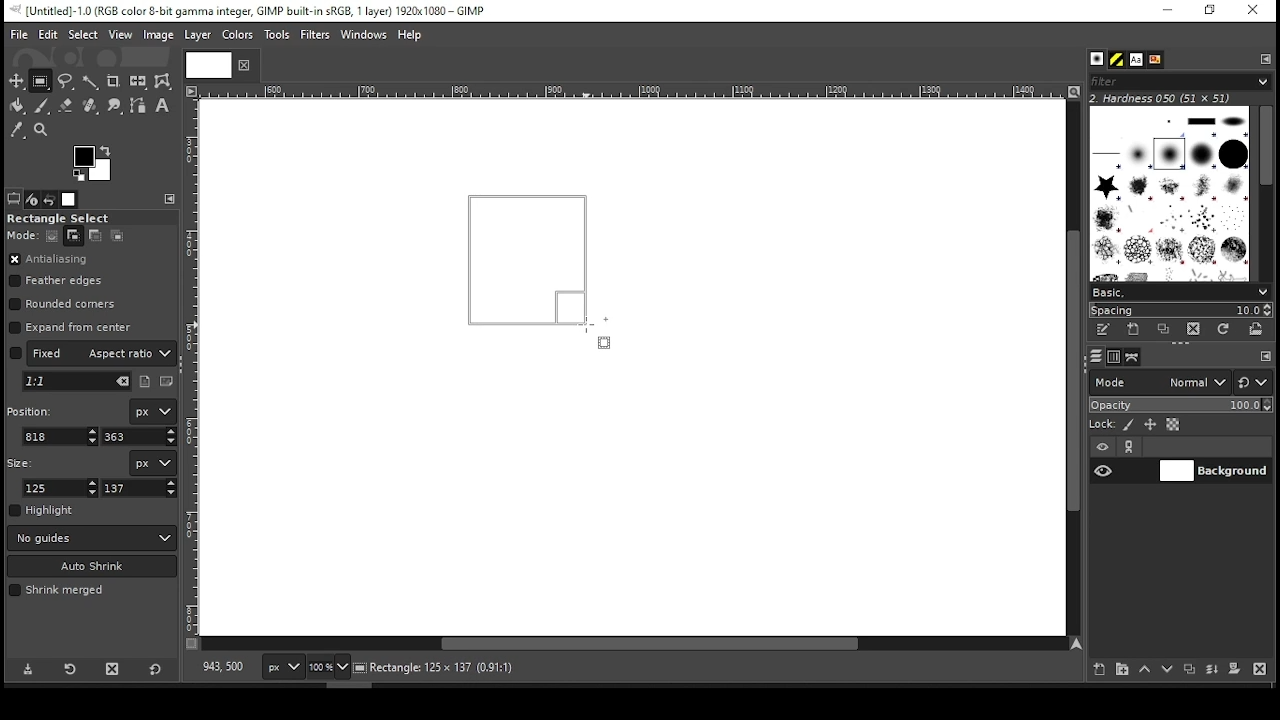 The image size is (1280, 720). I want to click on windows, so click(365, 36).